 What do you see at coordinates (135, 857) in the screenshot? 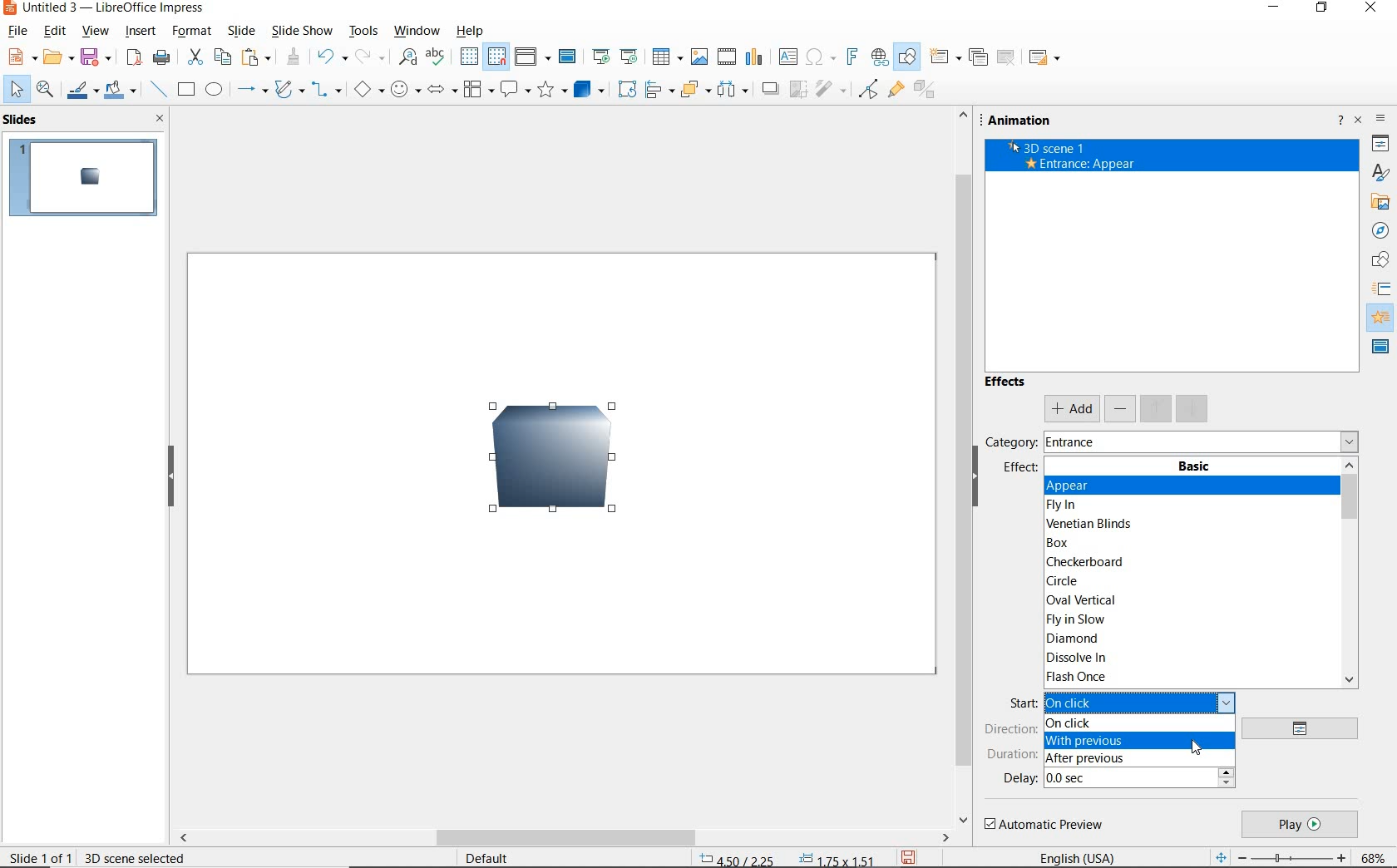
I see `3d scene selected` at bounding box center [135, 857].